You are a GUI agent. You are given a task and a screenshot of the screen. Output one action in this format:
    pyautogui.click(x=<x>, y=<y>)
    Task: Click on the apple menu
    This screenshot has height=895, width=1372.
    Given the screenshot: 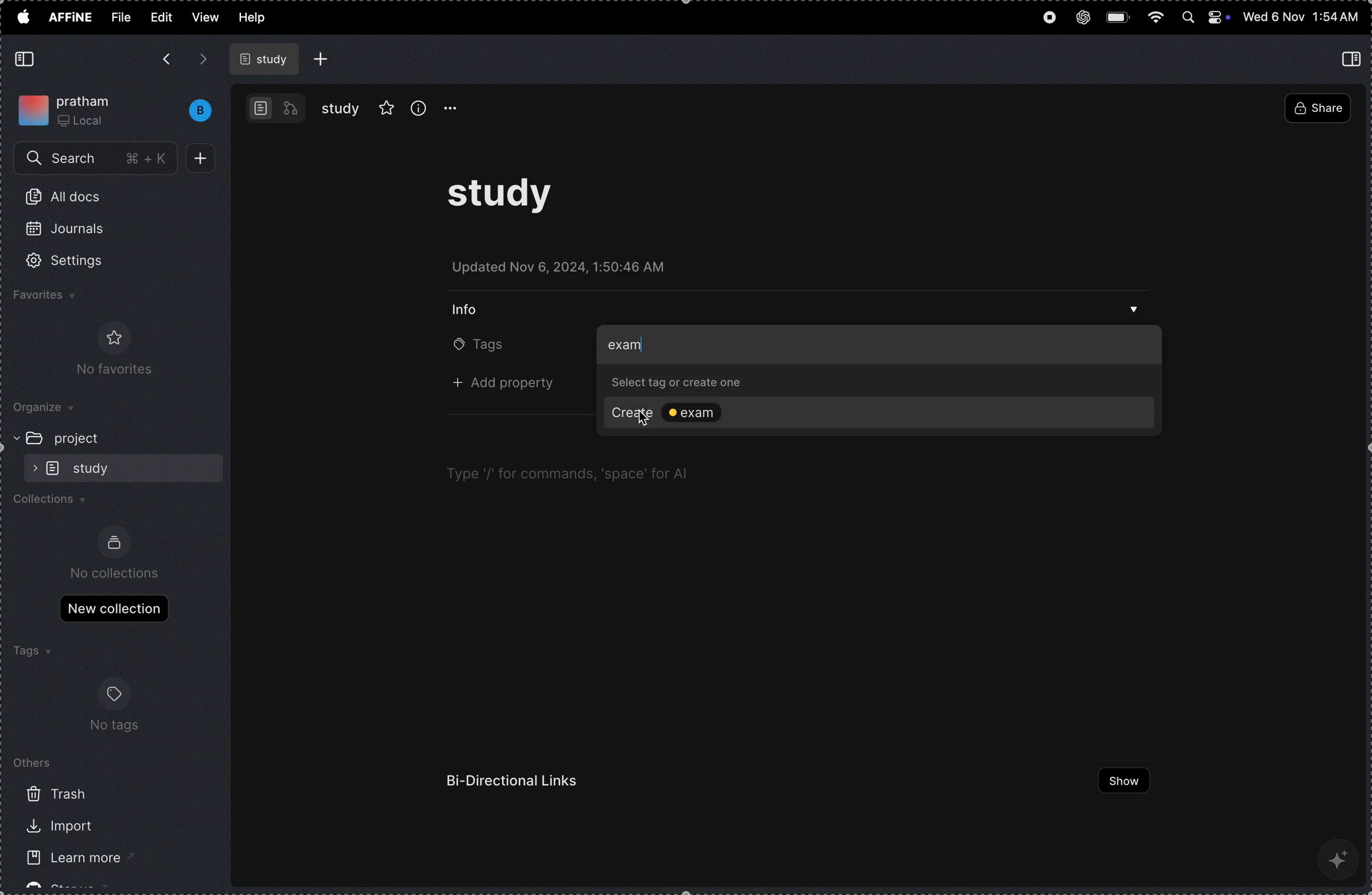 What is the action you would take?
    pyautogui.click(x=22, y=16)
    